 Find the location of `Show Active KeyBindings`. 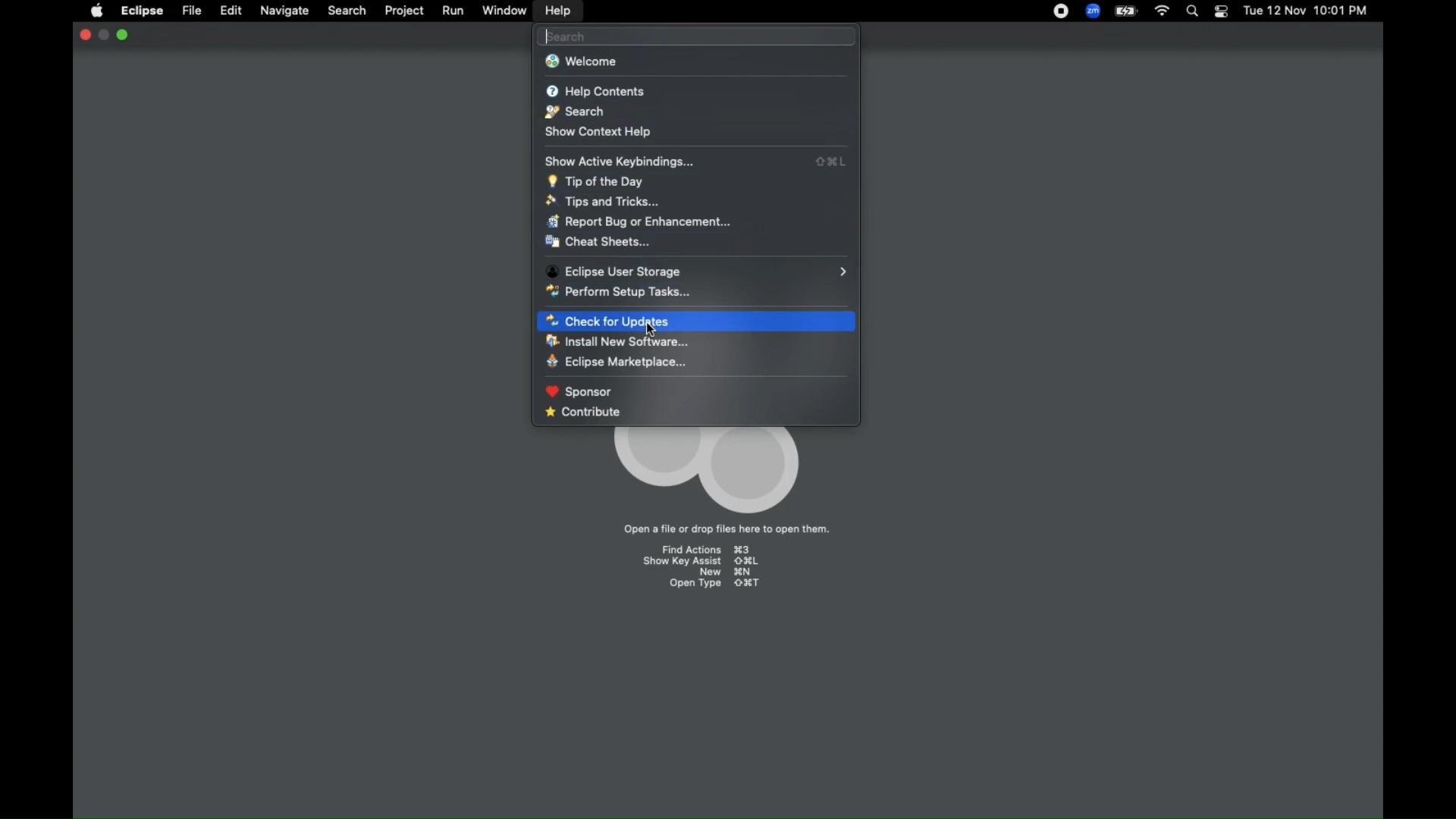

Show Active KeyBindings is located at coordinates (698, 160).